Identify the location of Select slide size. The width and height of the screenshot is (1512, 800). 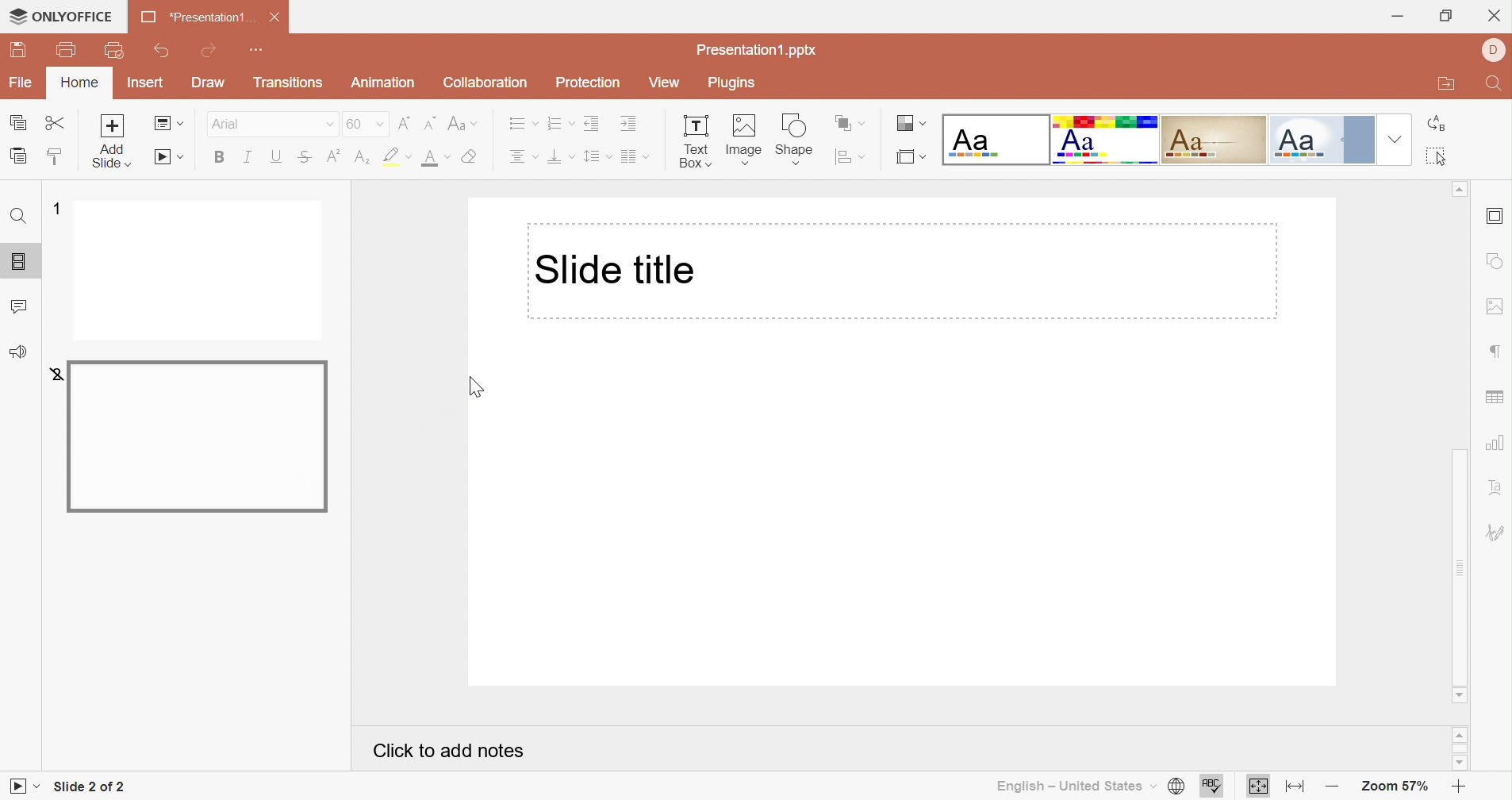
(908, 160).